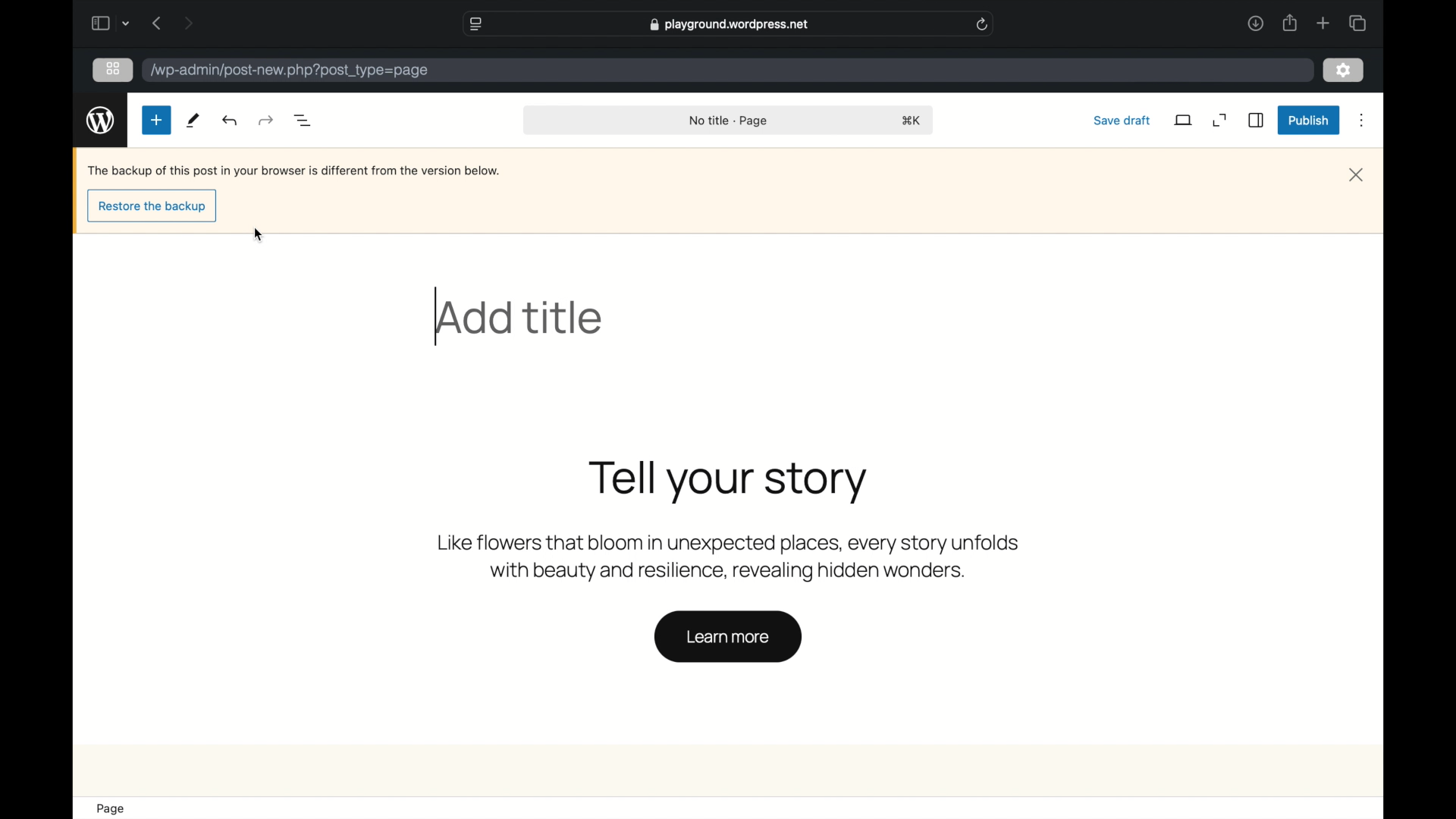  Describe the element at coordinates (731, 559) in the screenshot. I see `template content` at that location.